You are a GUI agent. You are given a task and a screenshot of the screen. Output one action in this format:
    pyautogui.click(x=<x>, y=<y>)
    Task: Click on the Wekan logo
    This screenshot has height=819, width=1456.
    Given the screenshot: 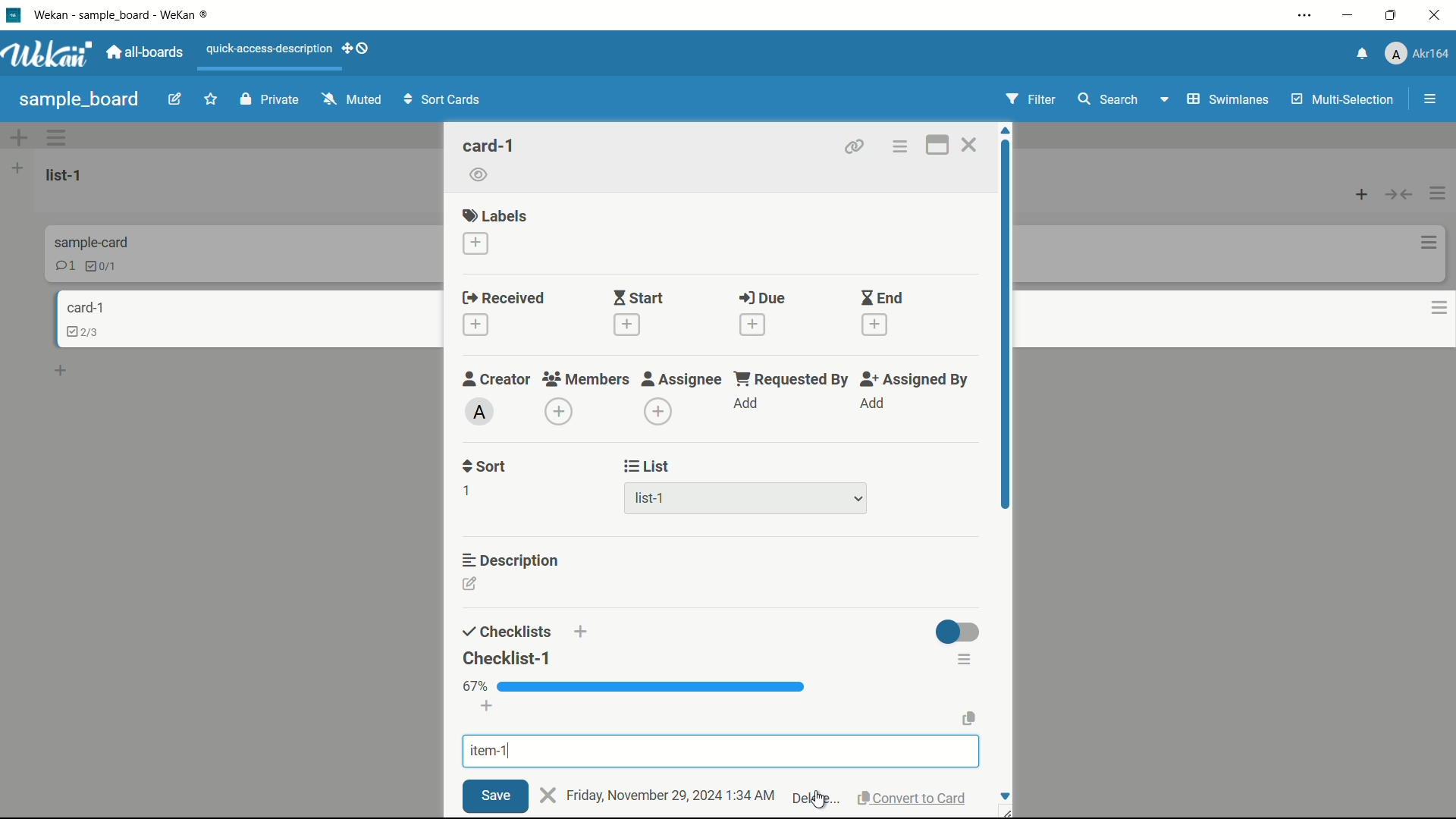 What is the action you would take?
    pyautogui.click(x=47, y=54)
    